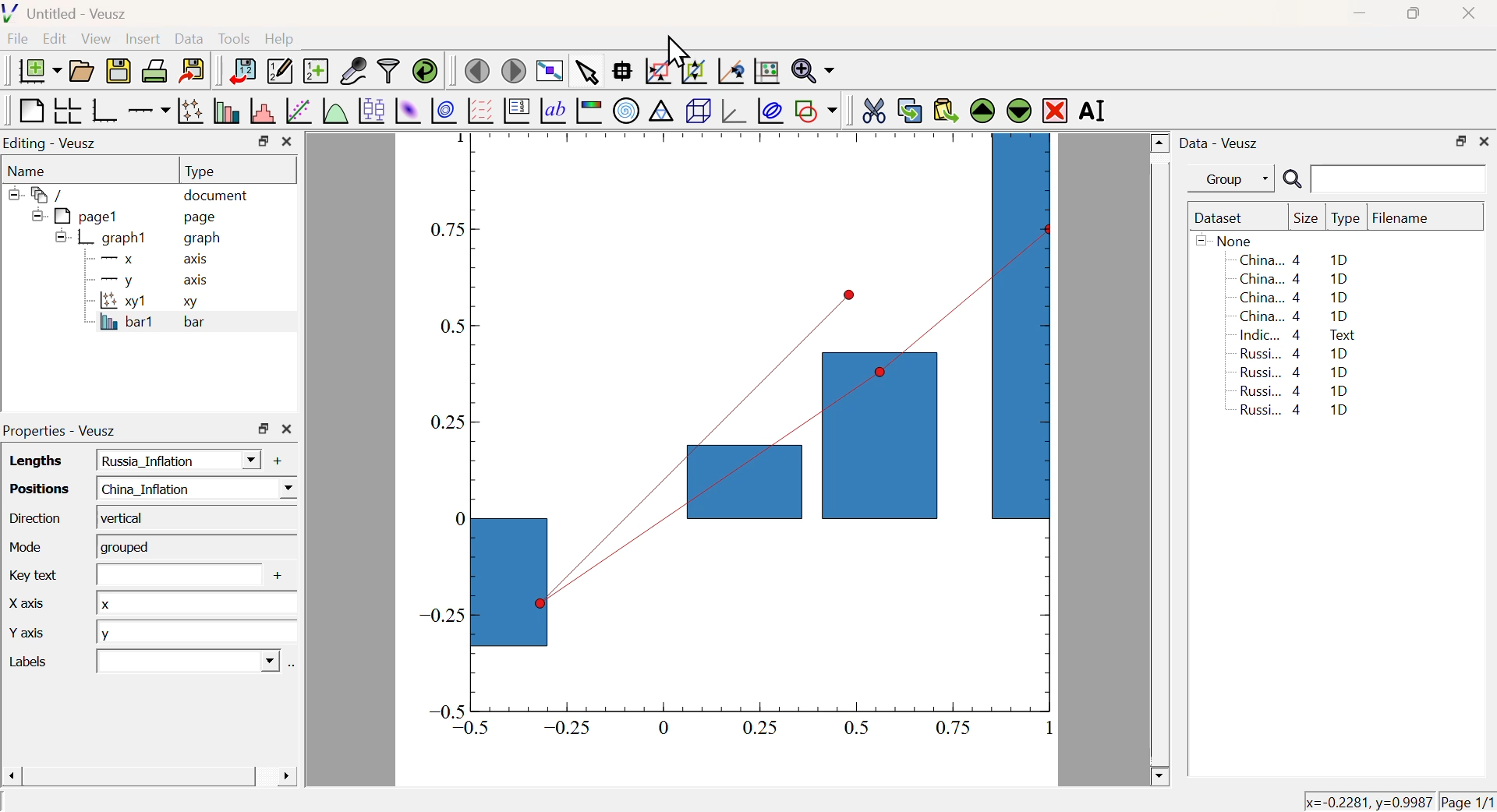  What do you see at coordinates (660, 110) in the screenshot?
I see `Ternary Graph` at bounding box center [660, 110].